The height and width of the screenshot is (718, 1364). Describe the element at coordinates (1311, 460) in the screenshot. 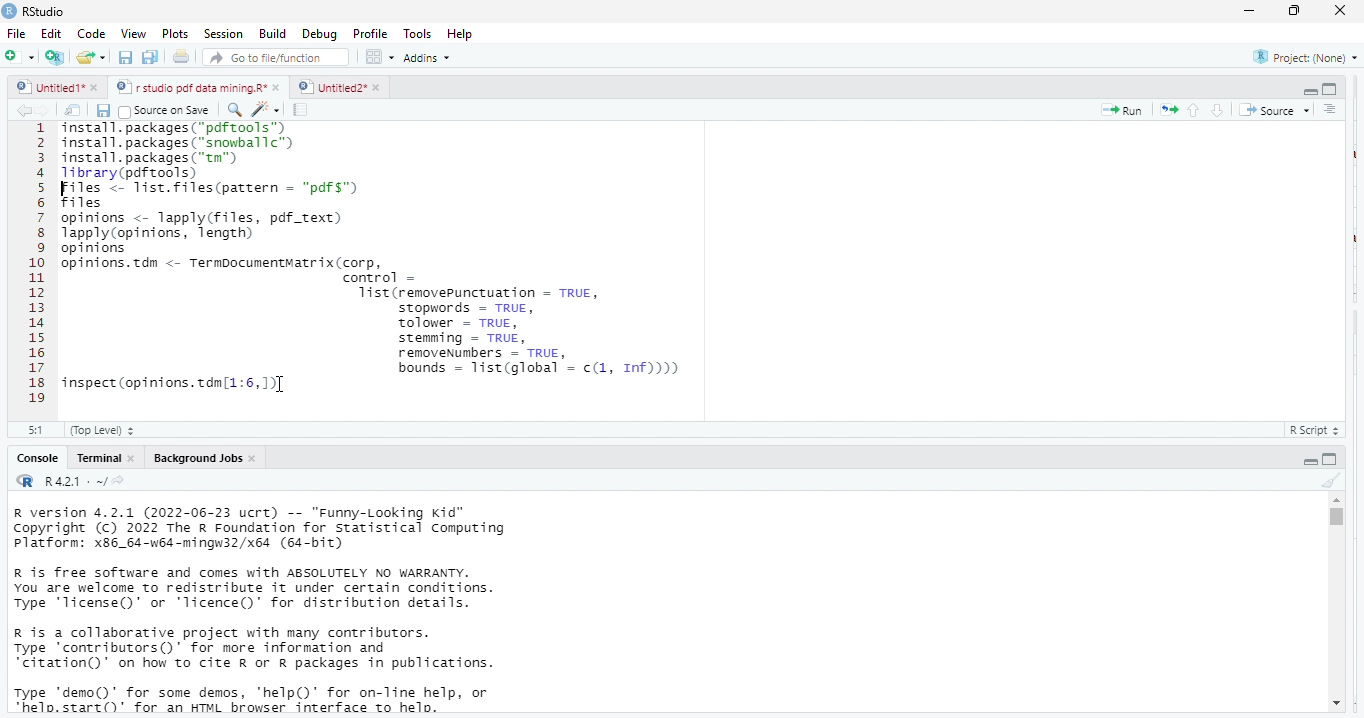

I see `hide r script` at that location.